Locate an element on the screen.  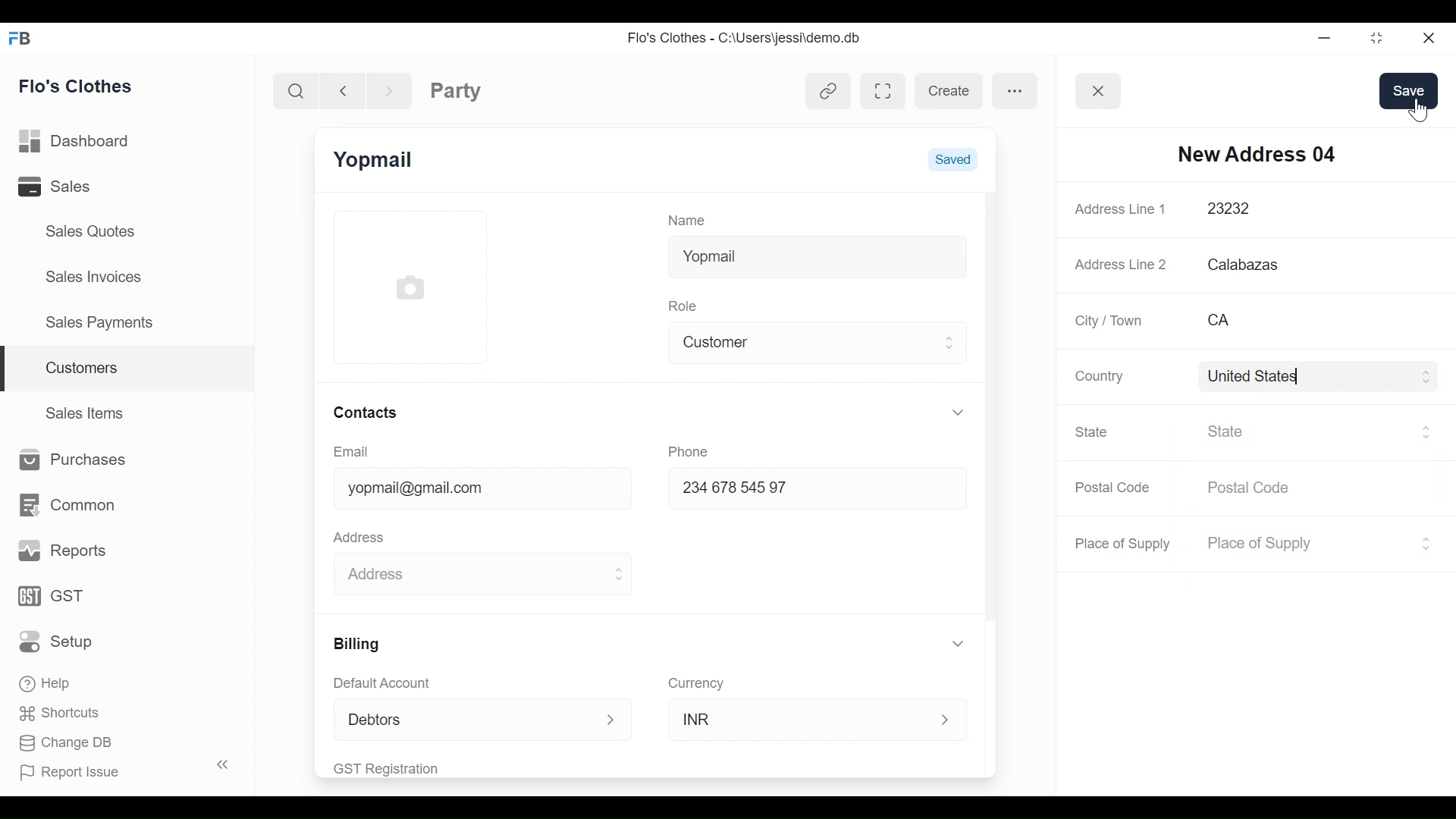
View linked entries is located at coordinates (828, 93).